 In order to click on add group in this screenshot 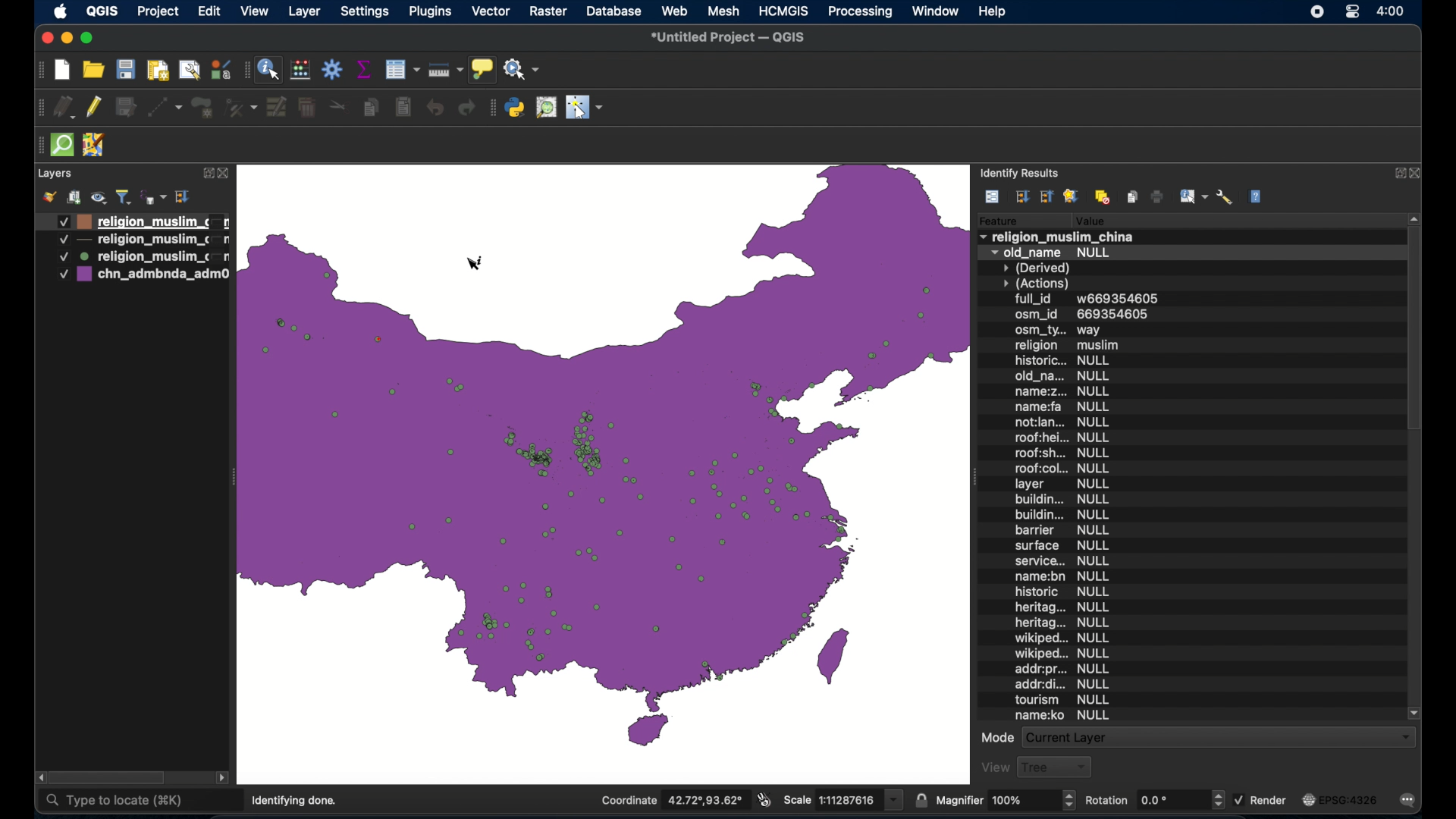, I will do `click(74, 196)`.